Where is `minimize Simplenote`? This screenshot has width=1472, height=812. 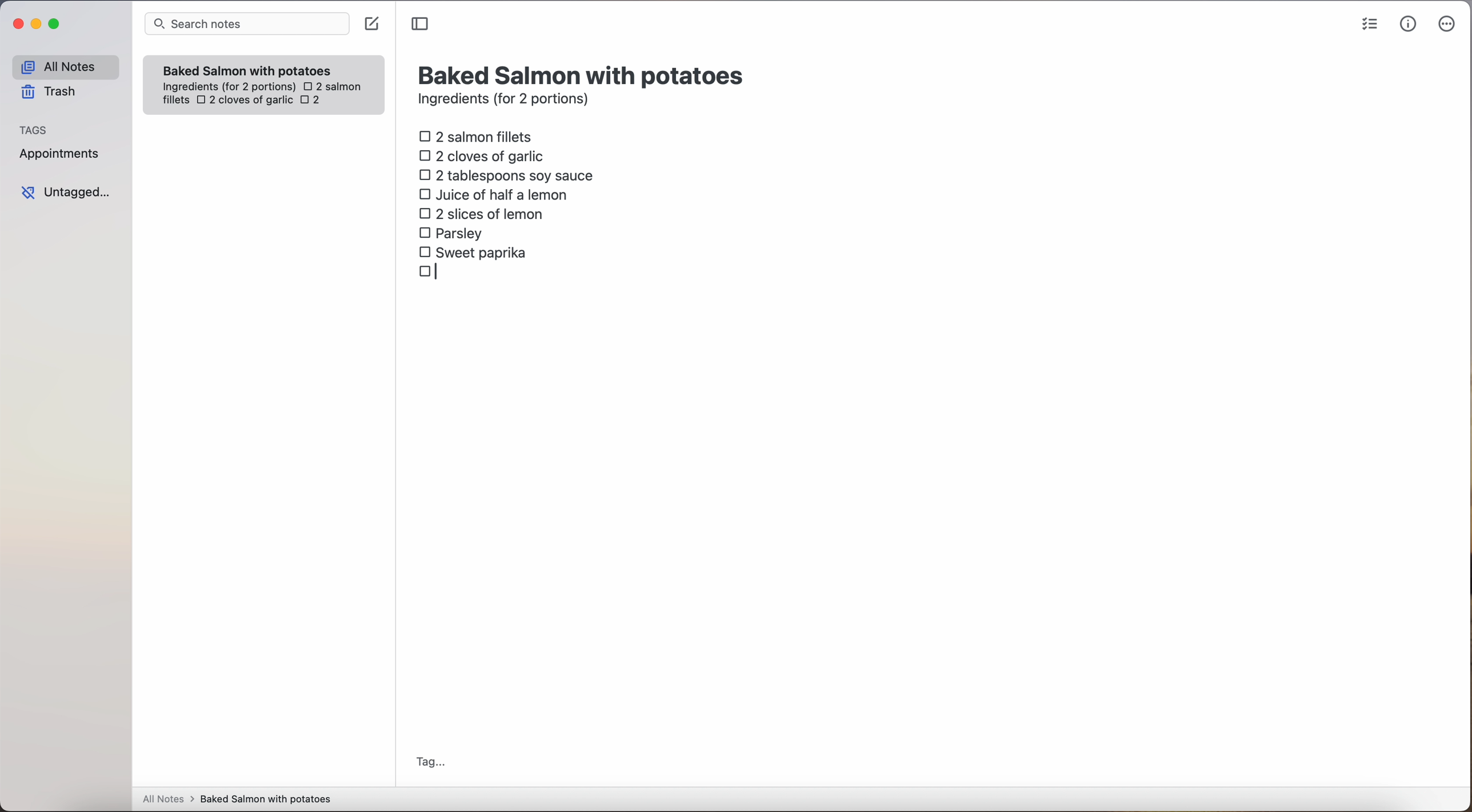 minimize Simplenote is located at coordinates (36, 25).